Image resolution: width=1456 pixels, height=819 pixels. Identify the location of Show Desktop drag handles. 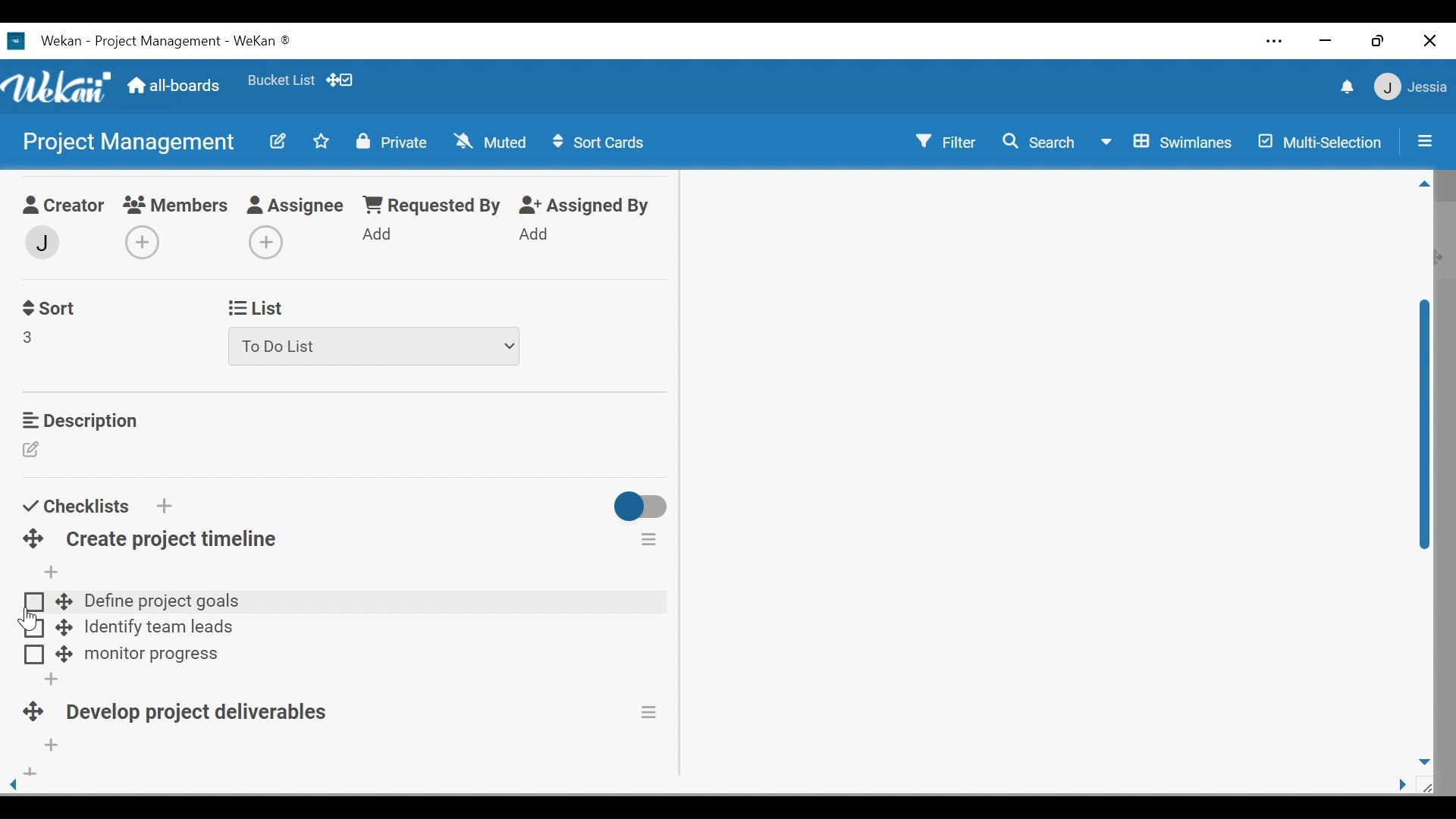
(340, 80).